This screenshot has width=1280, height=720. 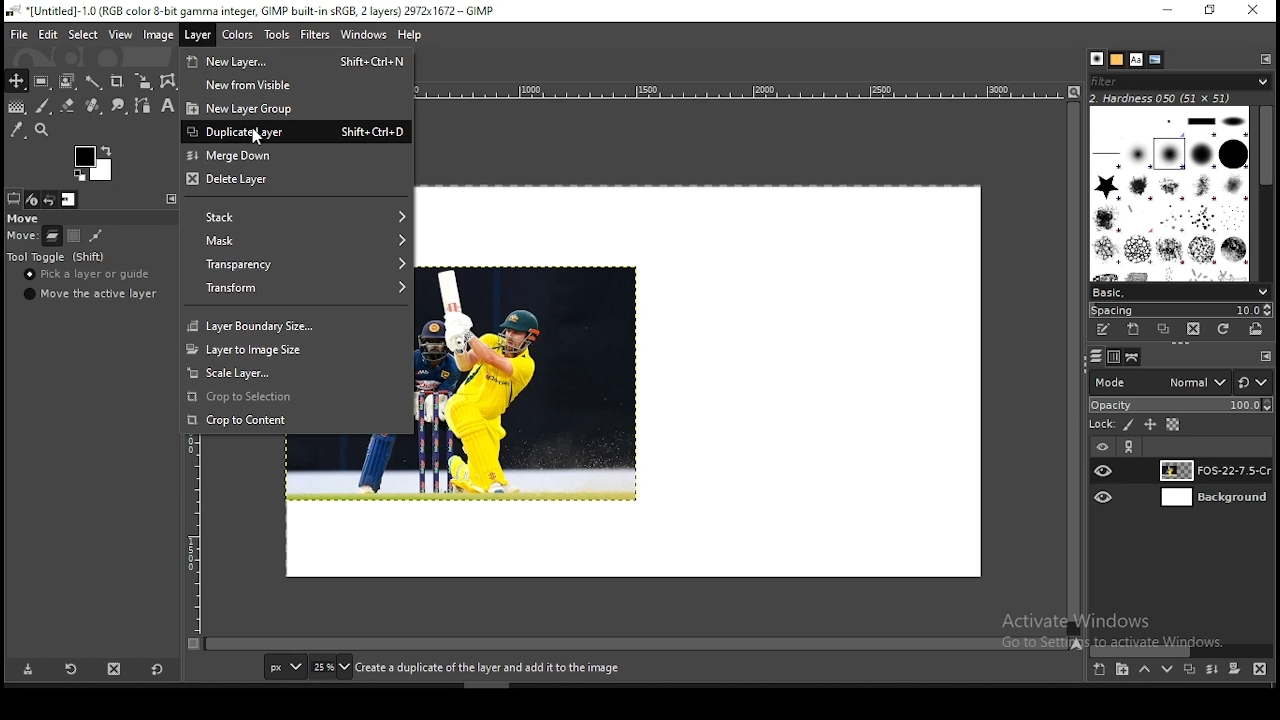 I want to click on tool, so click(x=1266, y=357).